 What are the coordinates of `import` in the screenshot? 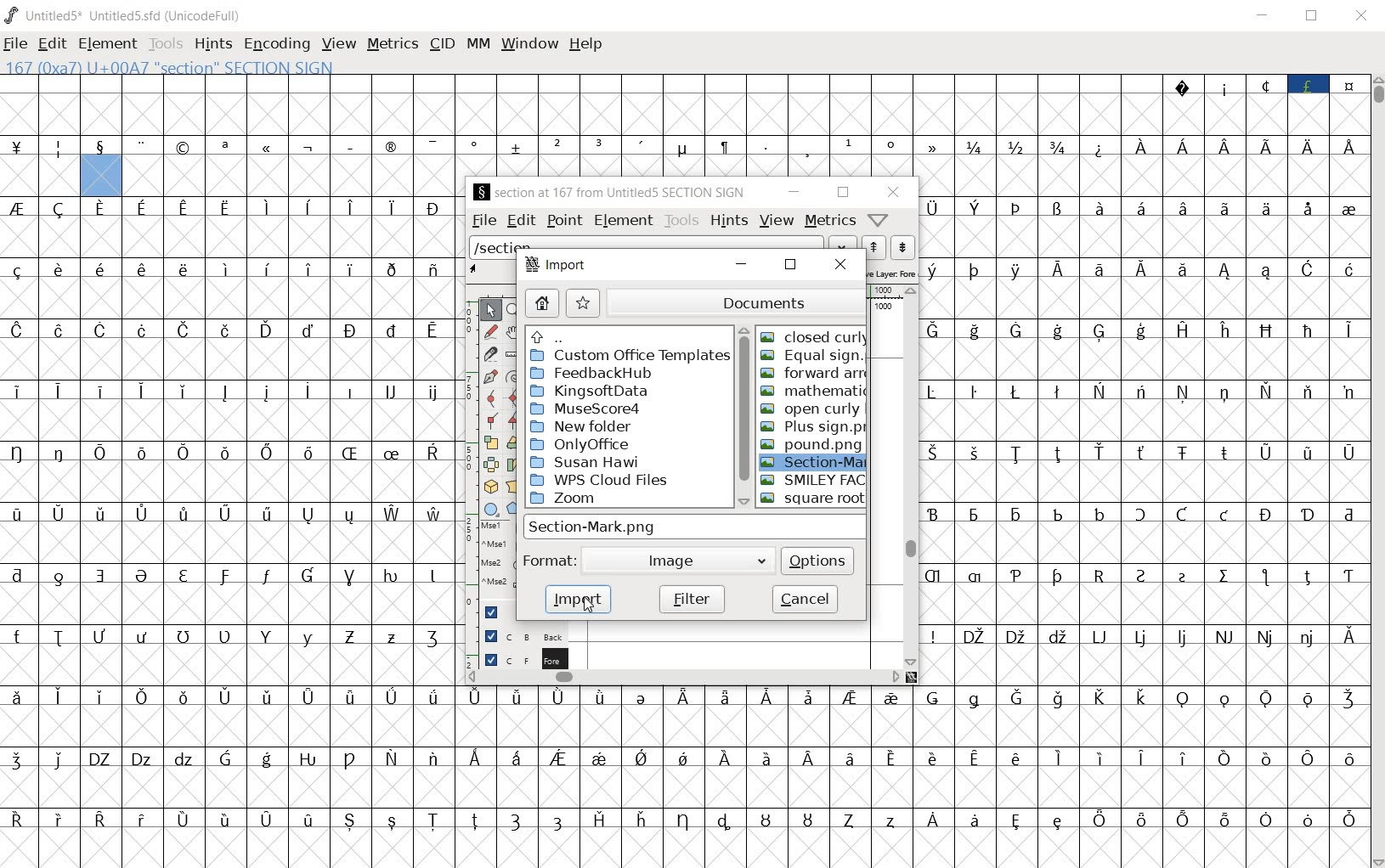 It's located at (579, 600).